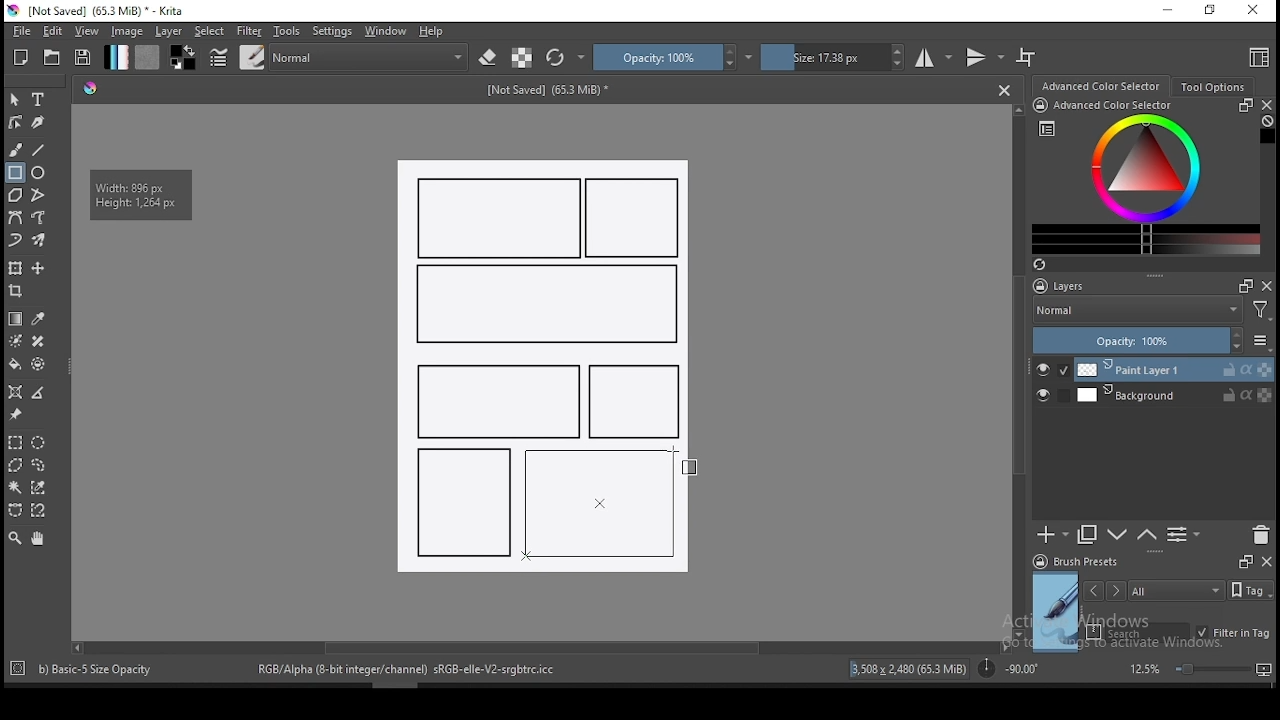 Image resolution: width=1280 pixels, height=720 pixels. Describe the element at coordinates (1027, 57) in the screenshot. I see `wrap around mode` at that location.